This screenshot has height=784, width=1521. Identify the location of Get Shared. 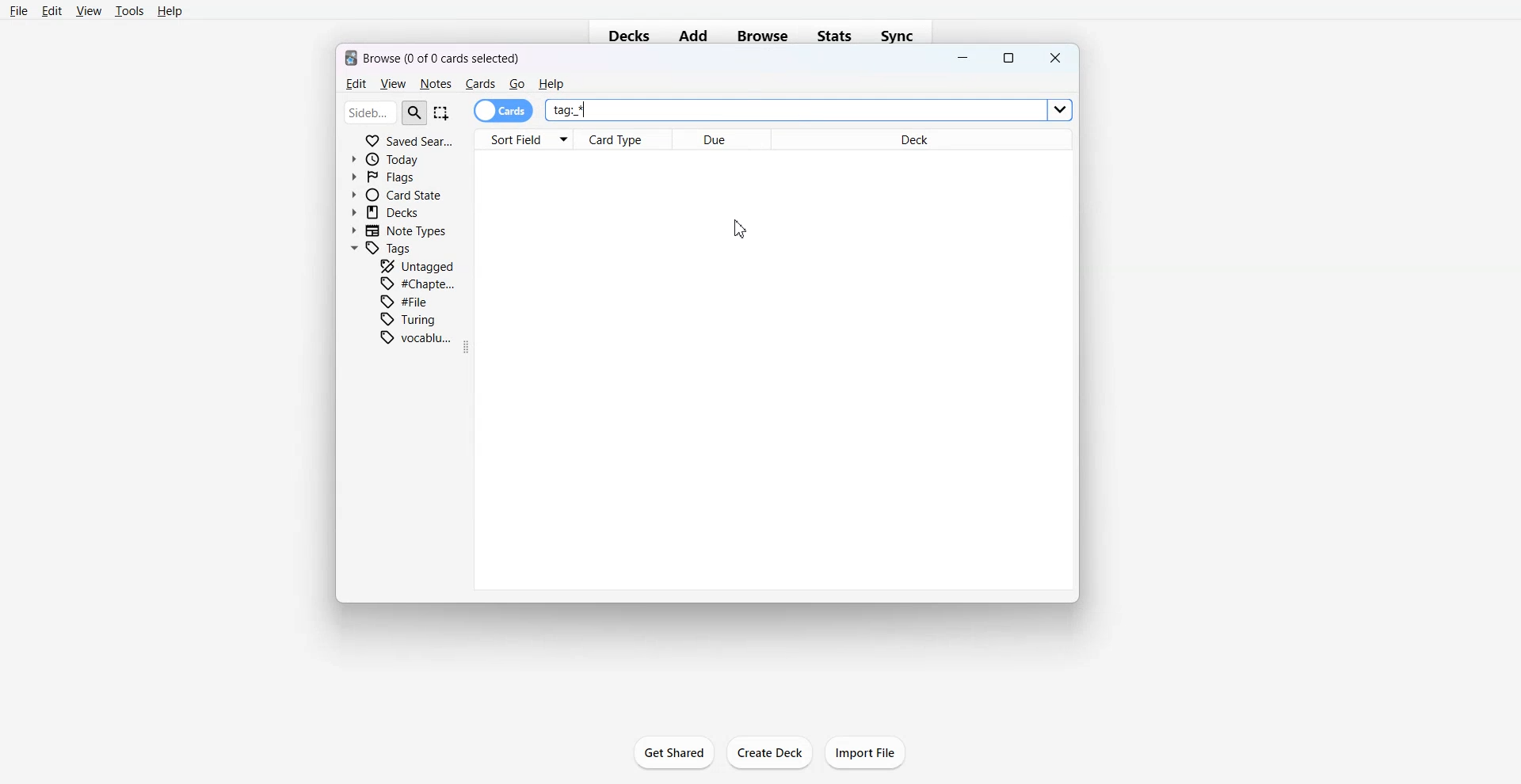
(673, 752).